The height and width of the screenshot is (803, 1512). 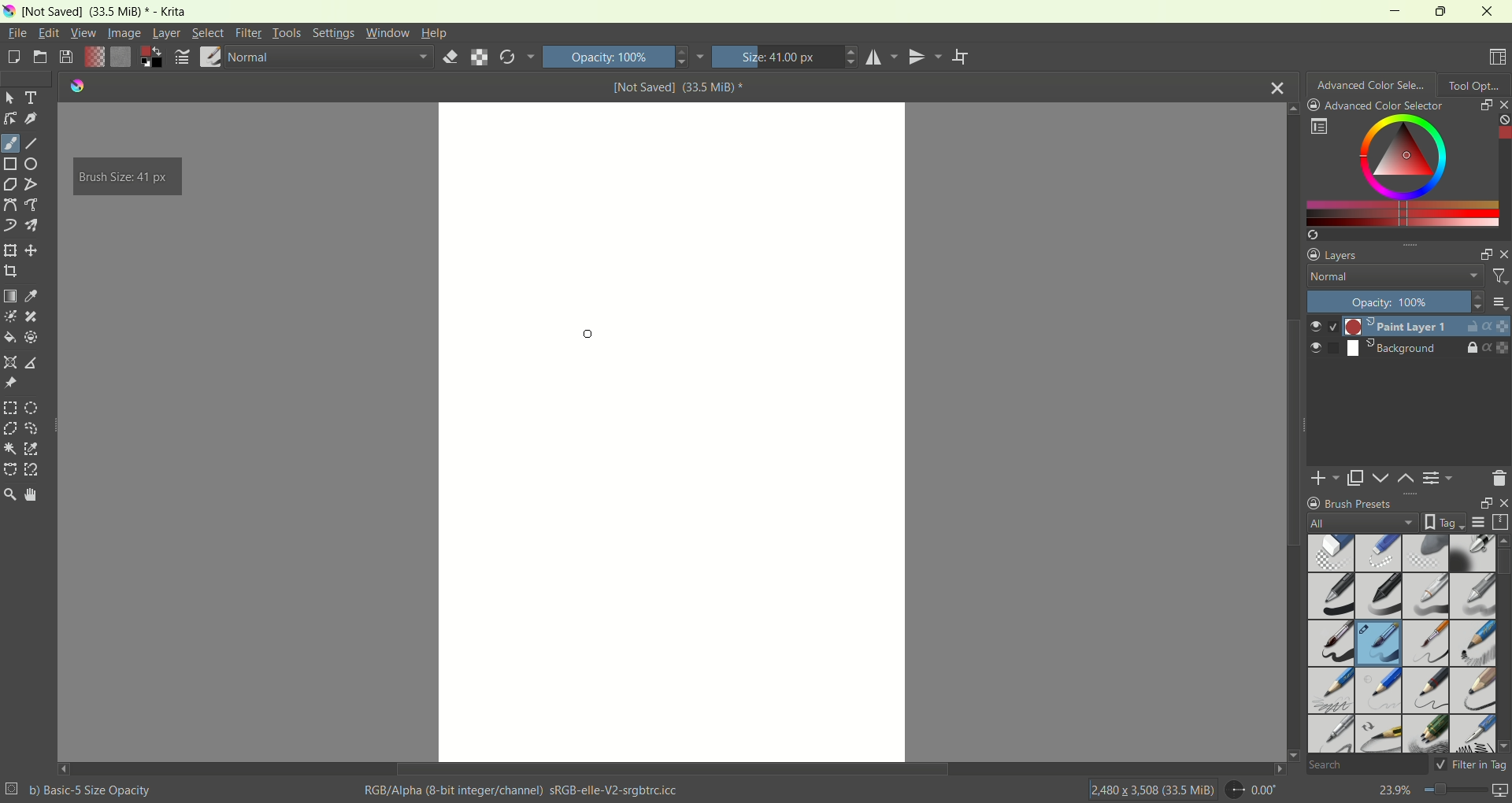 What do you see at coordinates (524, 790) in the screenshot?
I see `RGB/Alpha (8-bit integer/channel) sRGB-elle-V2-srgbtrc.icc` at bounding box center [524, 790].